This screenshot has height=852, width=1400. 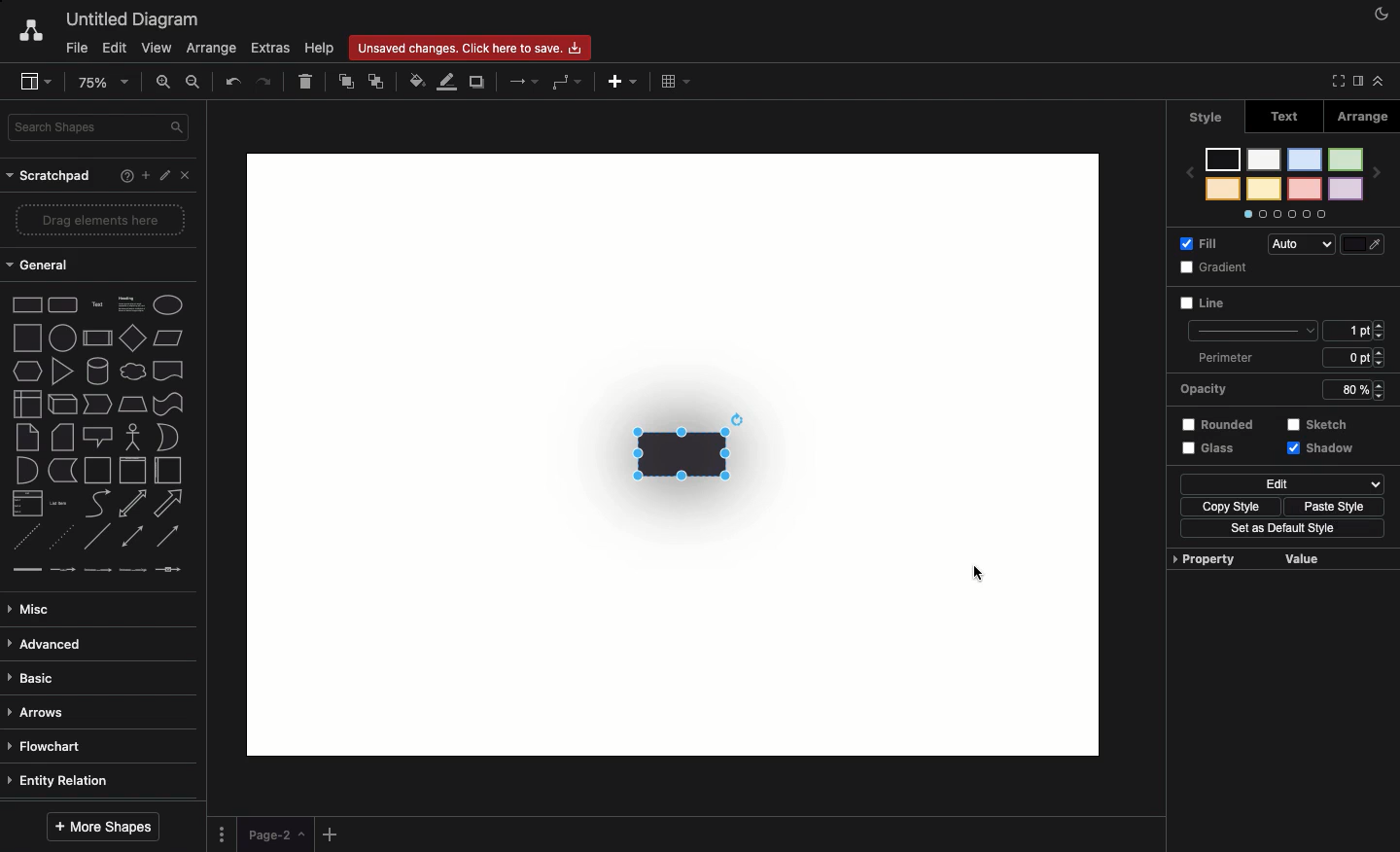 I want to click on Duplicate, so click(x=477, y=83).